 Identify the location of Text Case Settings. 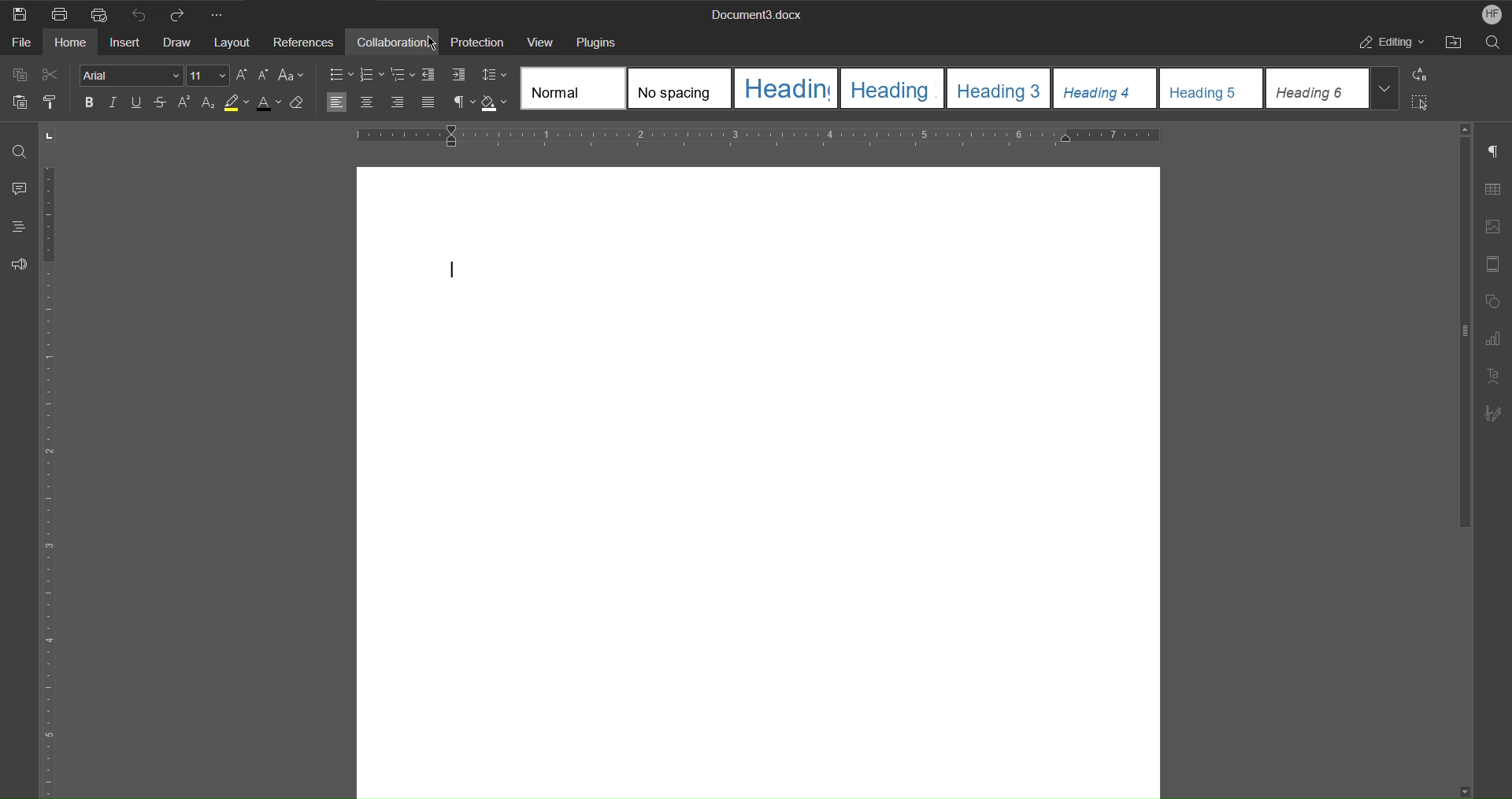
(291, 75).